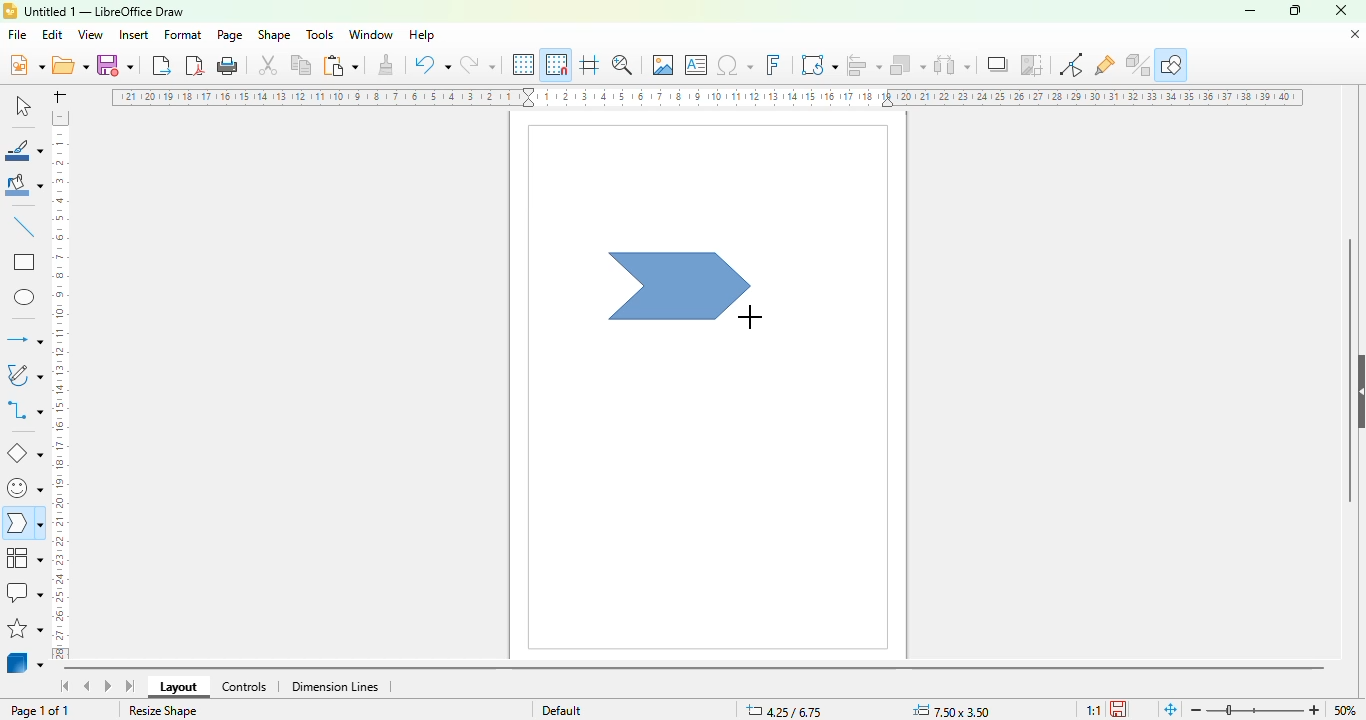 Image resolution: width=1366 pixels, height=720 pixels. What do you see at coordinates (697, 65) in the screenshot?
I see `insert text box` at bounding box center [697, 65].